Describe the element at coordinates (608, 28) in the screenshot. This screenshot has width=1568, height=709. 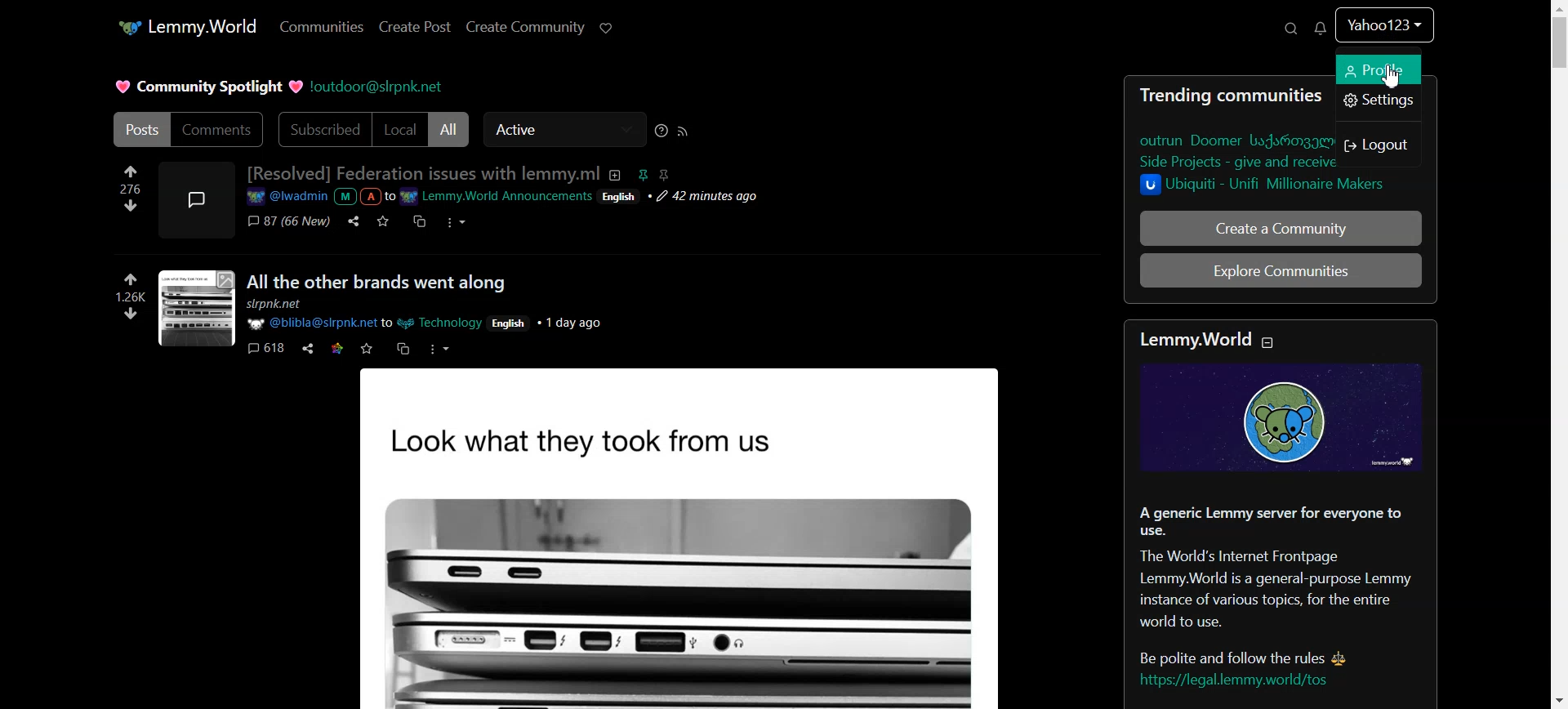
I see `Support Limmy` at that location.